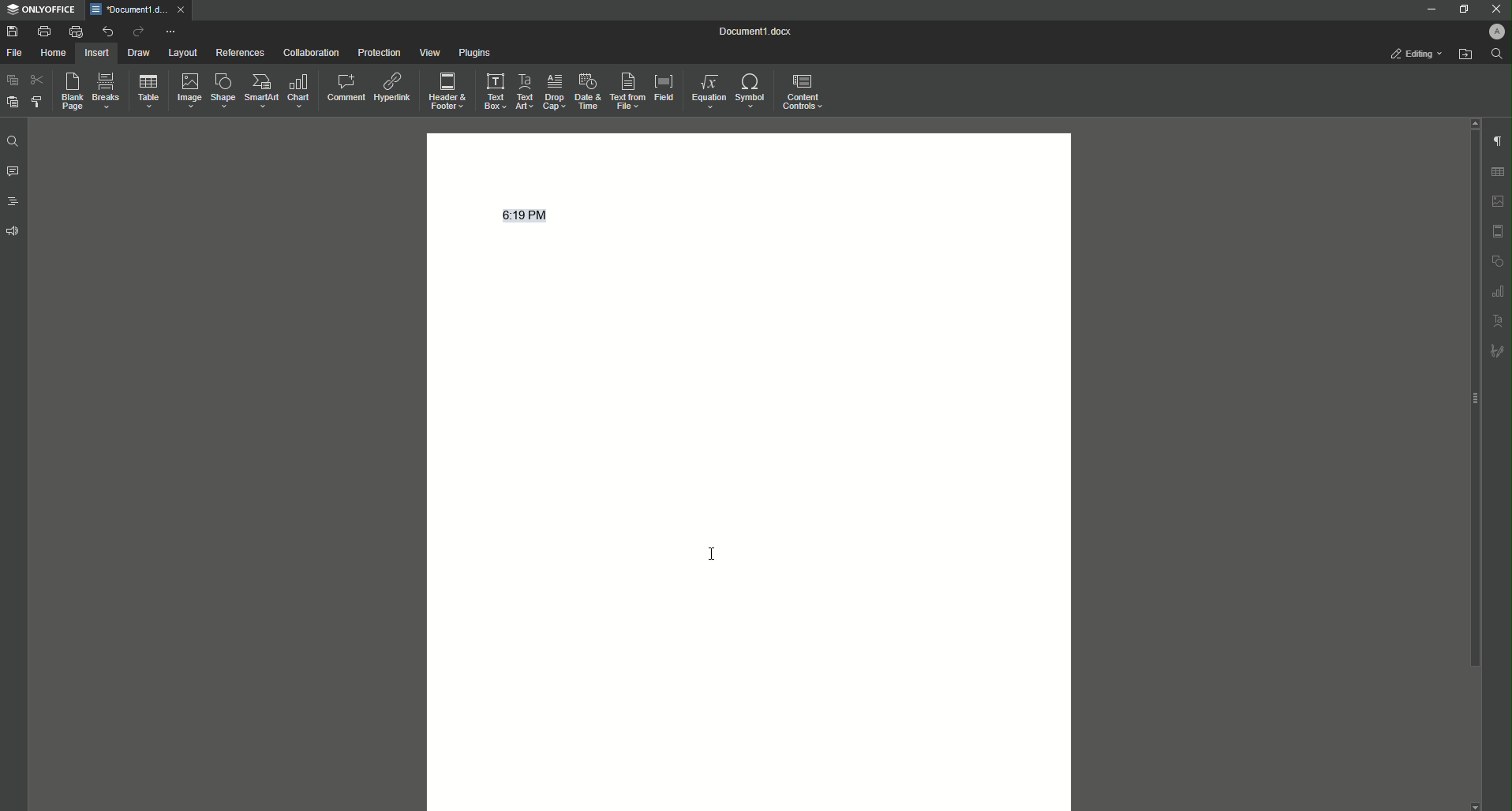 This screenshot has width=1512, height=811. What do you see at coordinates (1460, 9) in the screenshot?
I see `Restore` at bounding box center [1460, 9].